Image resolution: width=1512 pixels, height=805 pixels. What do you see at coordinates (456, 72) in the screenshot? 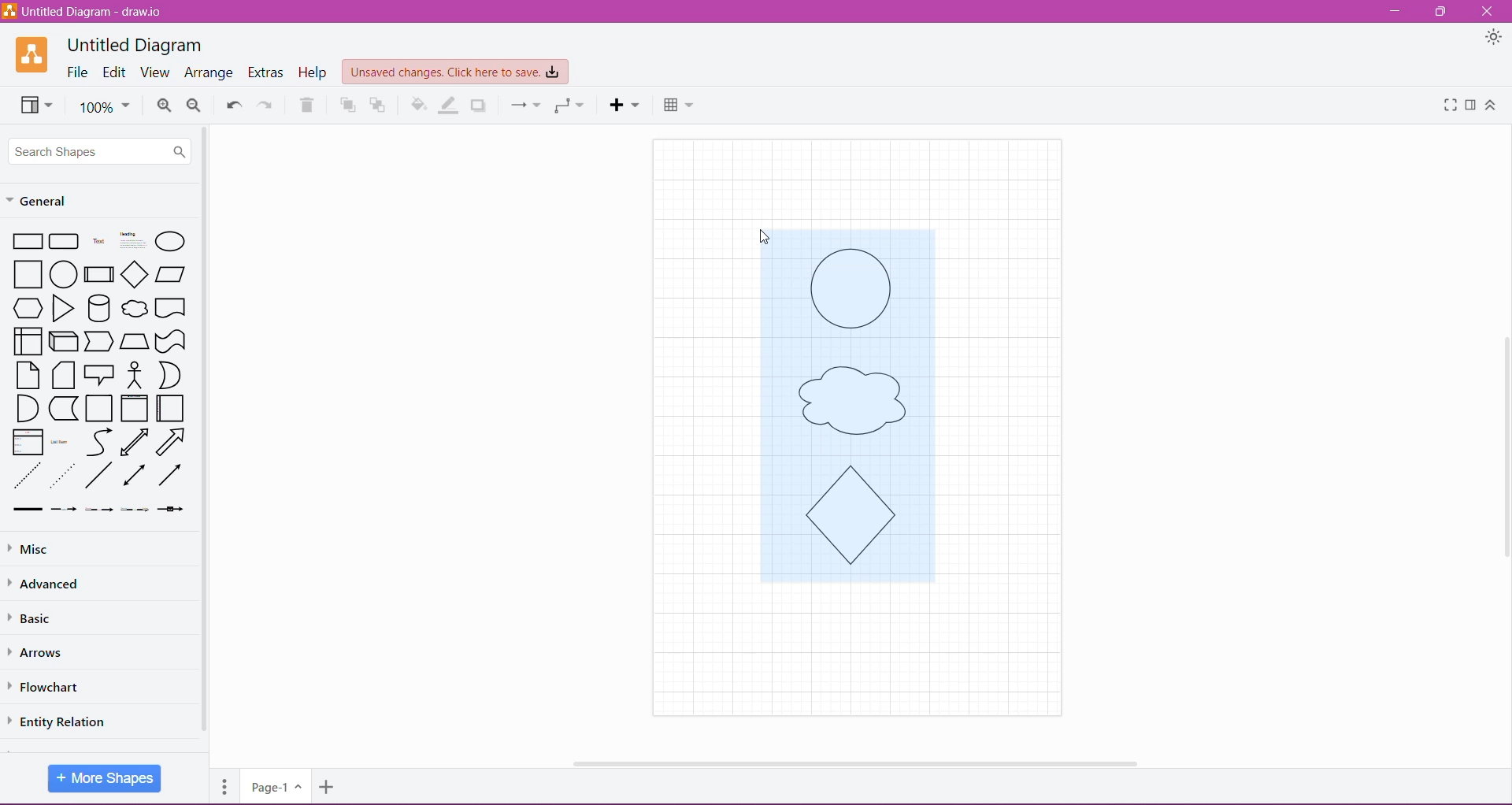
I see `Unsaved Changes. Click here to save.` at bounding box center [456, 72].